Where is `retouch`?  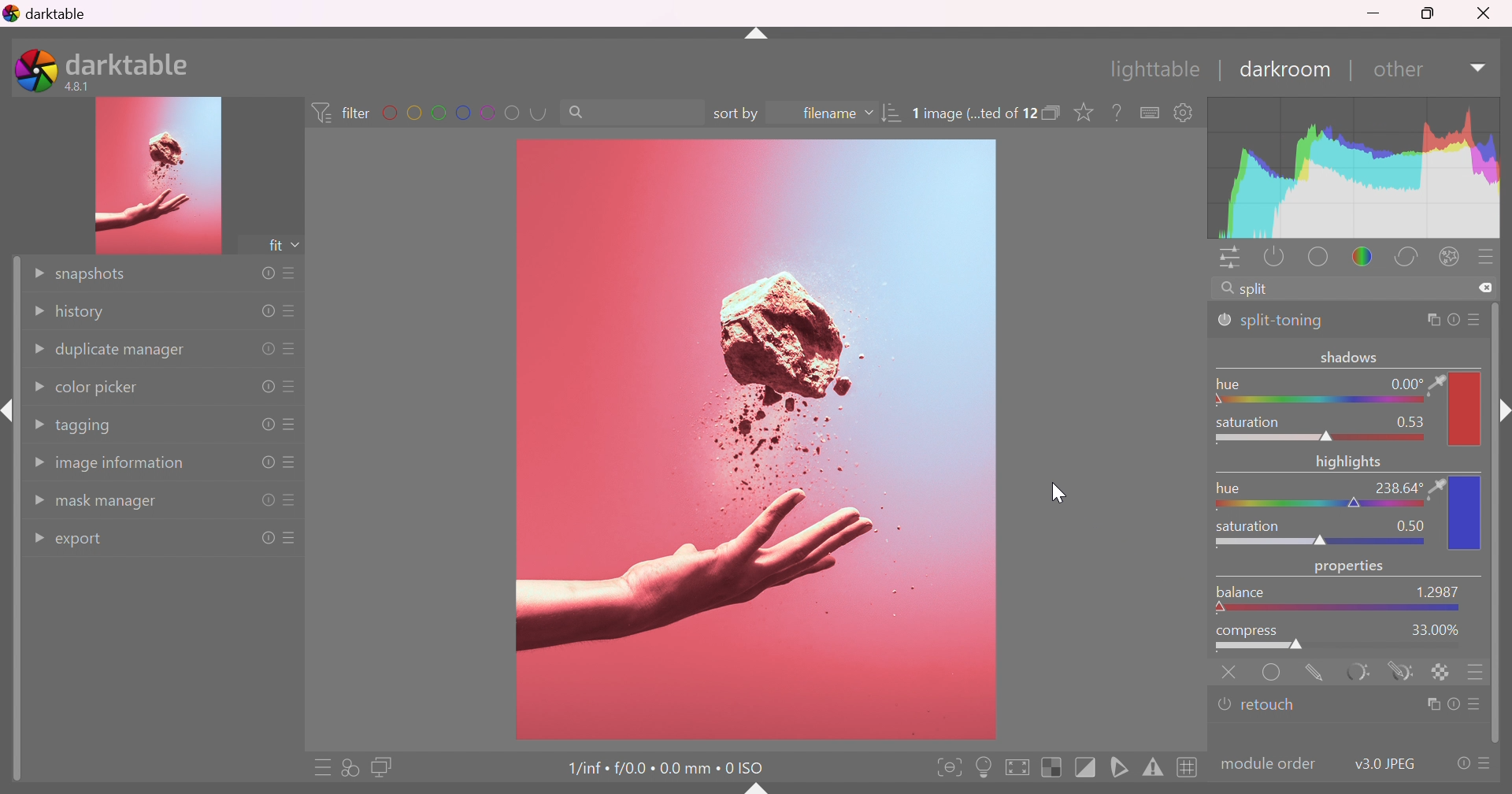 retouch is located at coordinates (1266, 702).